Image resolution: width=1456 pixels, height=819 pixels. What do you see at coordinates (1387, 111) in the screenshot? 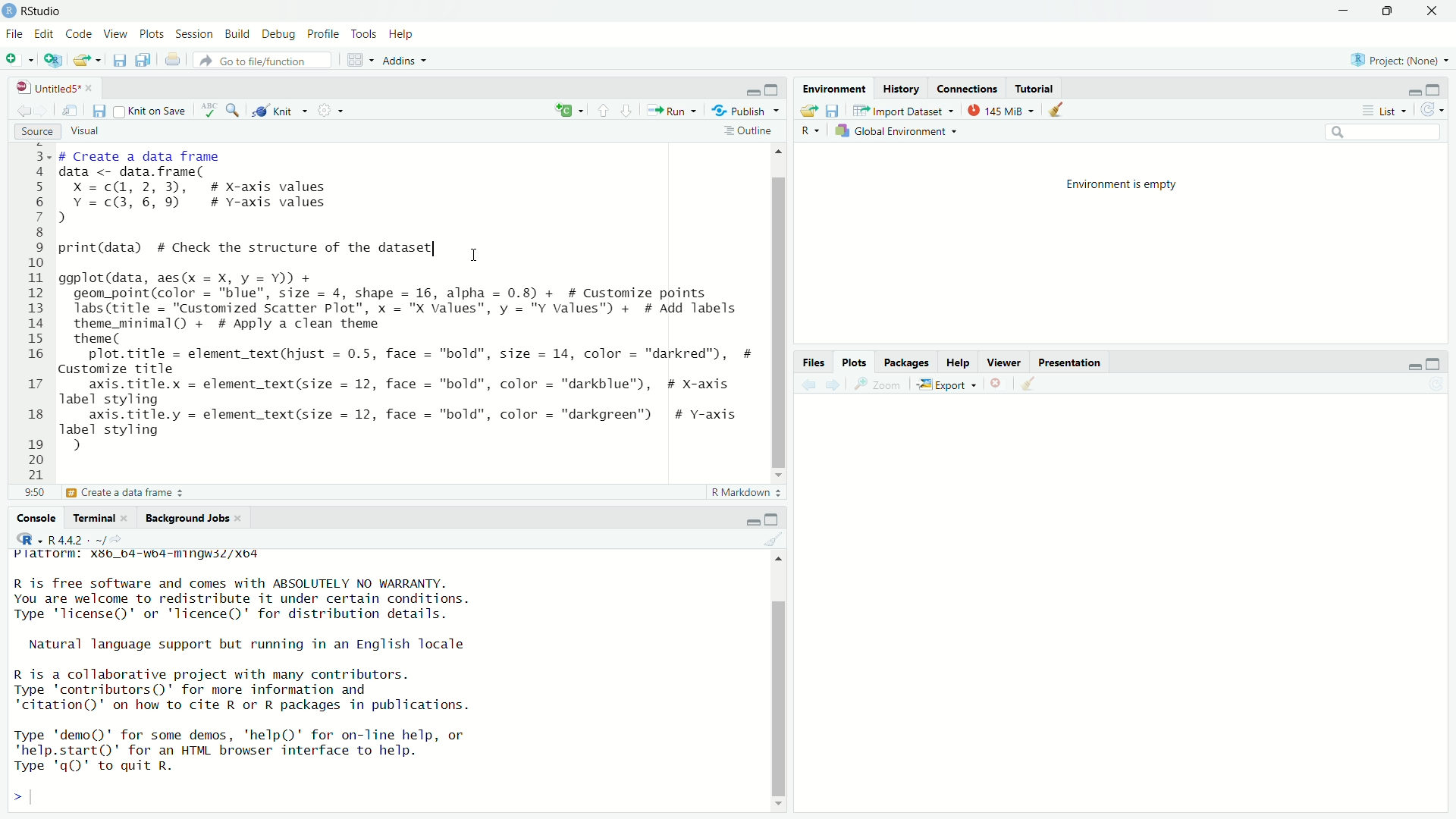
I see `Liist` at bounding box center [1387, 111].